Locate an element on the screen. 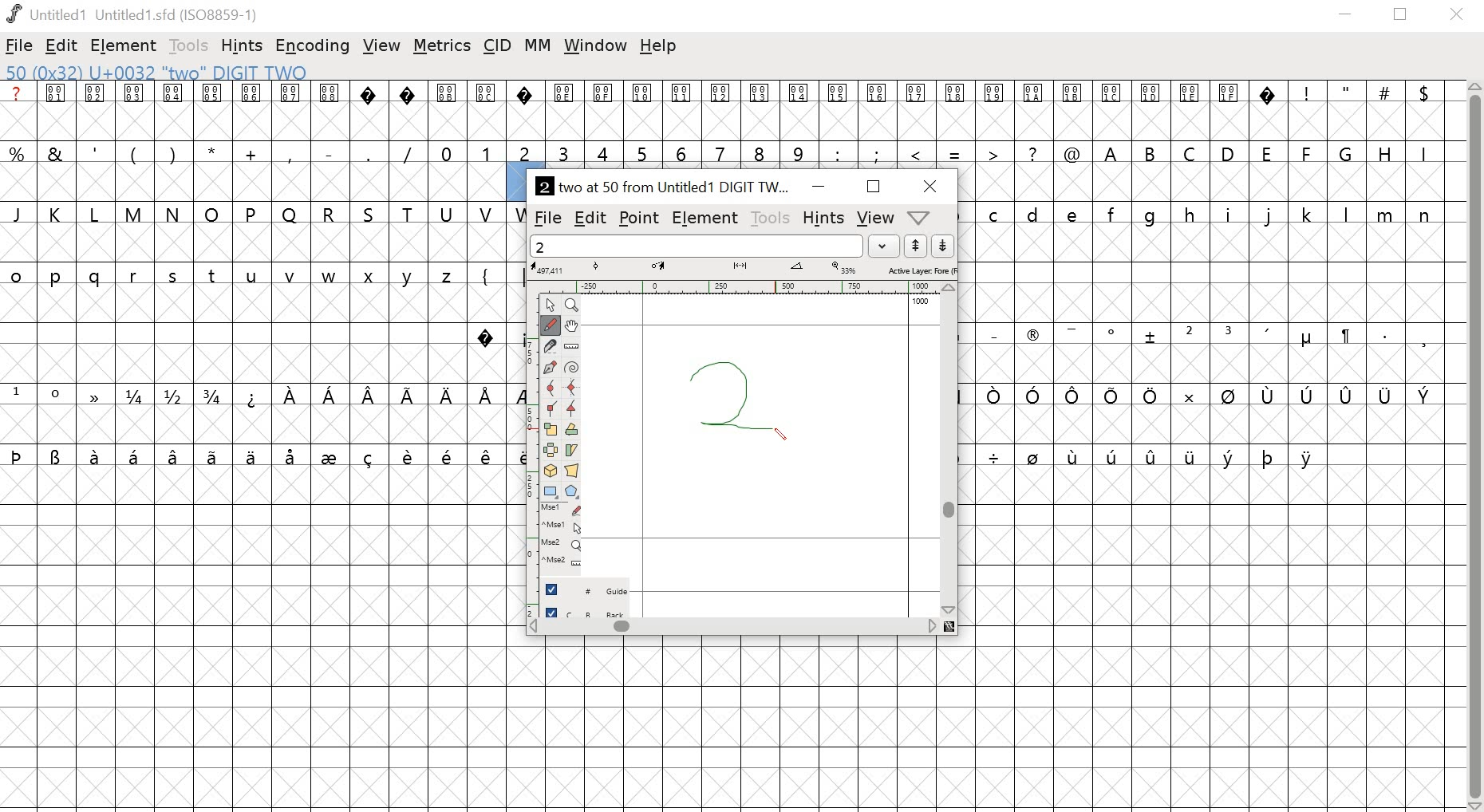  view is located at coordinates (874, 218).